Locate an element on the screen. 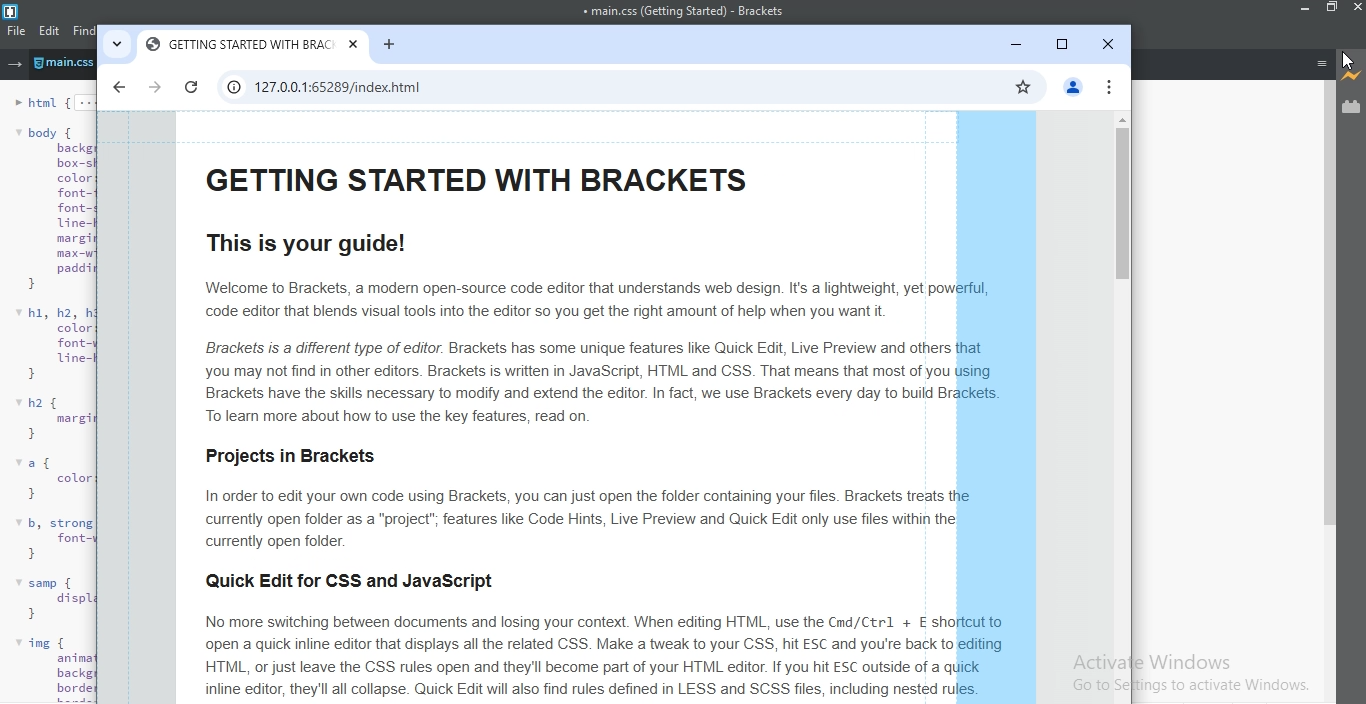 This screenshot has width=1366, height=704. main.css(Getting Started) - Brackets is located at coordinates (682, 12).